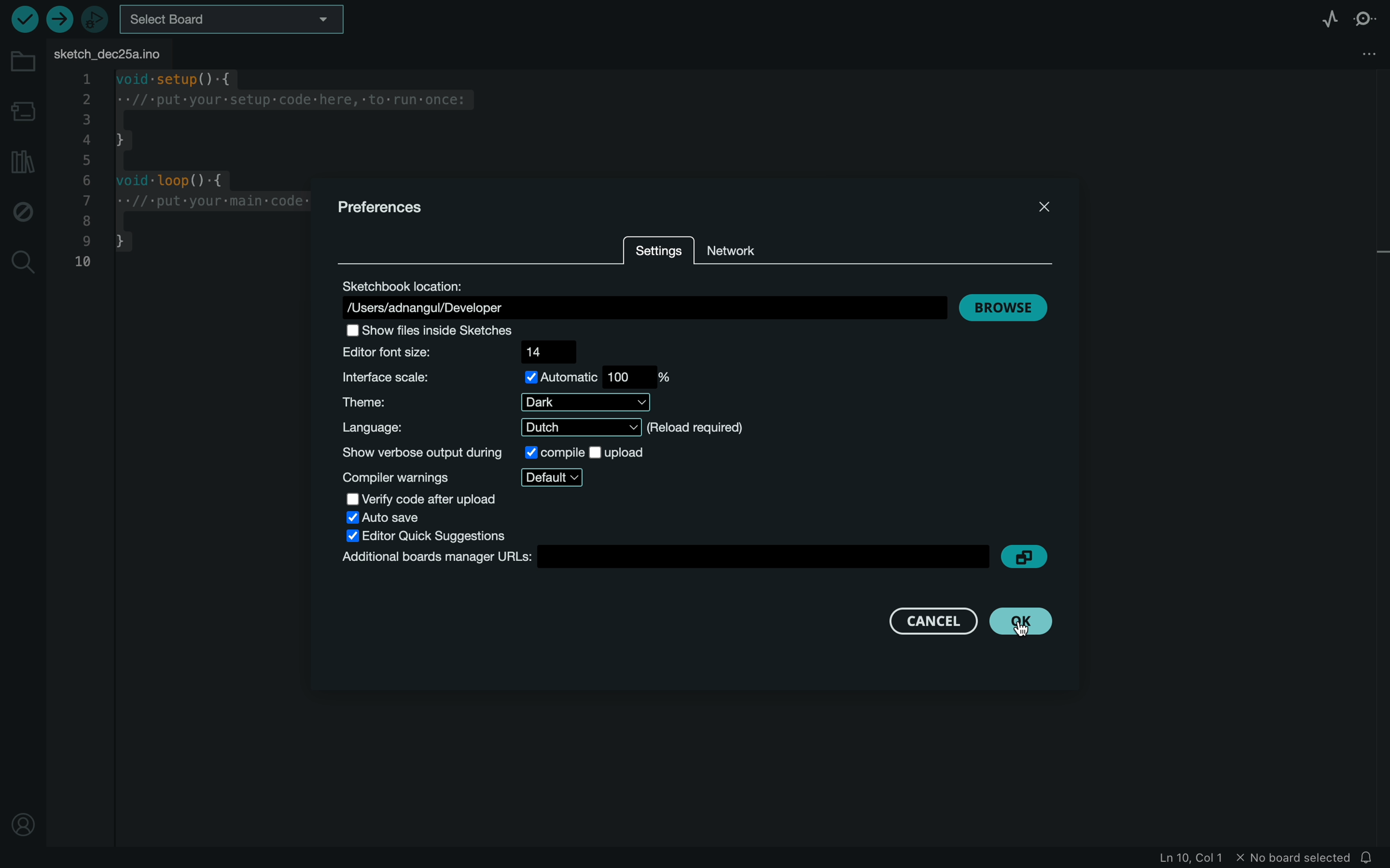 This screenshot has width=1390, height=868. Describe the element at coordinates (23, 211) in the screenshot. I see `debug` at that location.